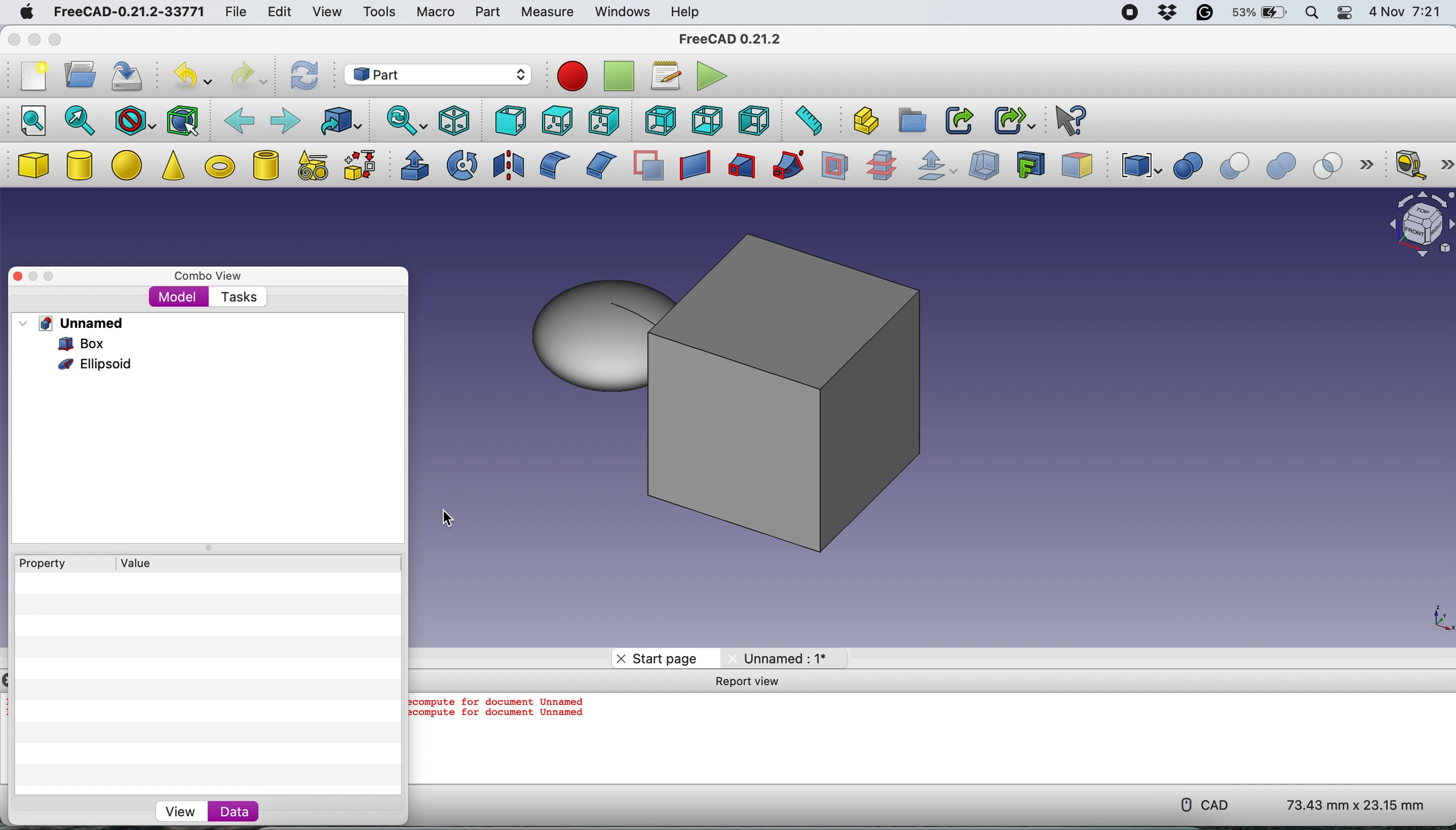 The width and height of the screenshot is (1456, 830). Describe the element at coordinates (546, 13) in the screenshot. I see `measure` at that location.